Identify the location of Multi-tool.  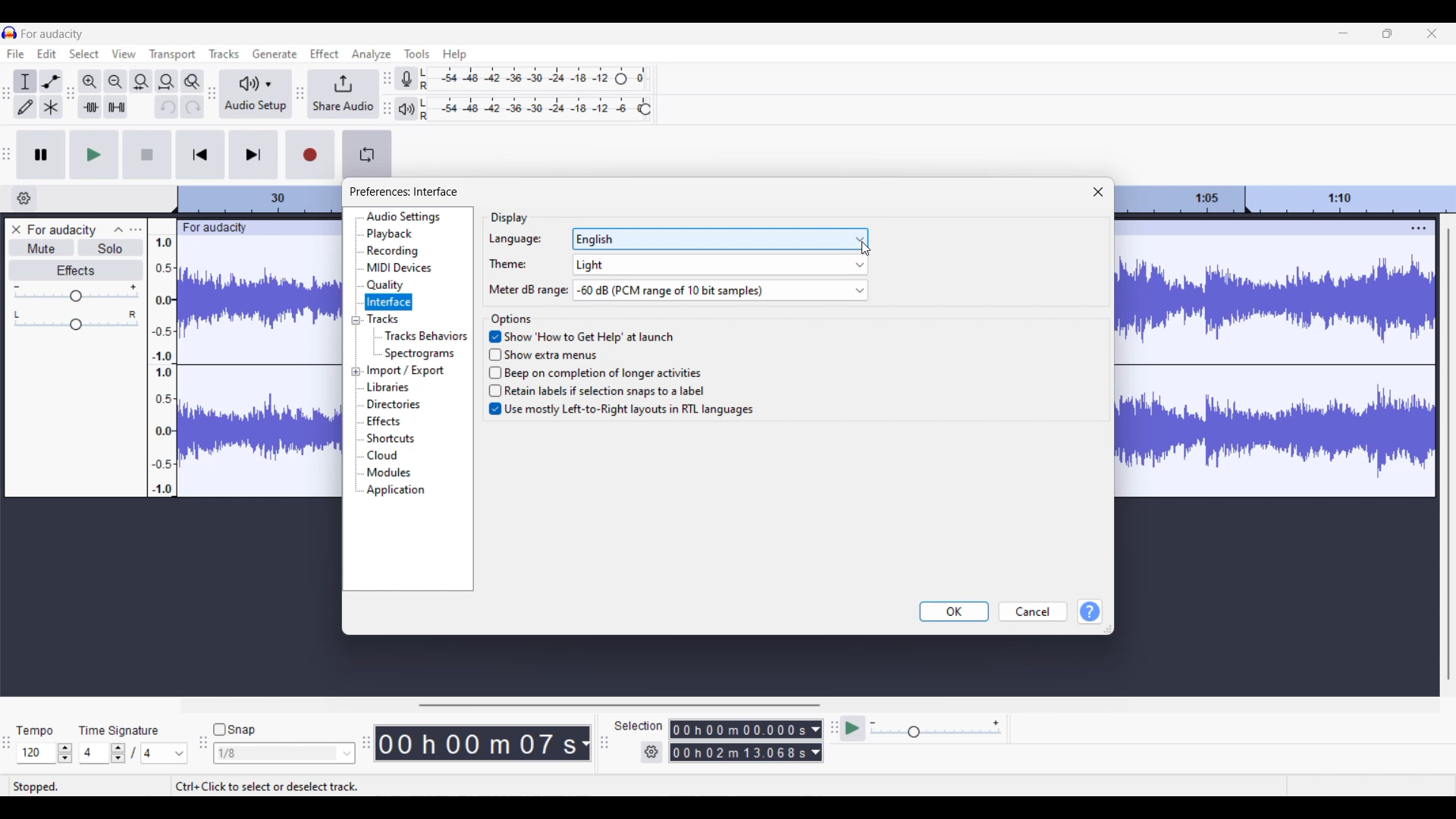
(51, 106).